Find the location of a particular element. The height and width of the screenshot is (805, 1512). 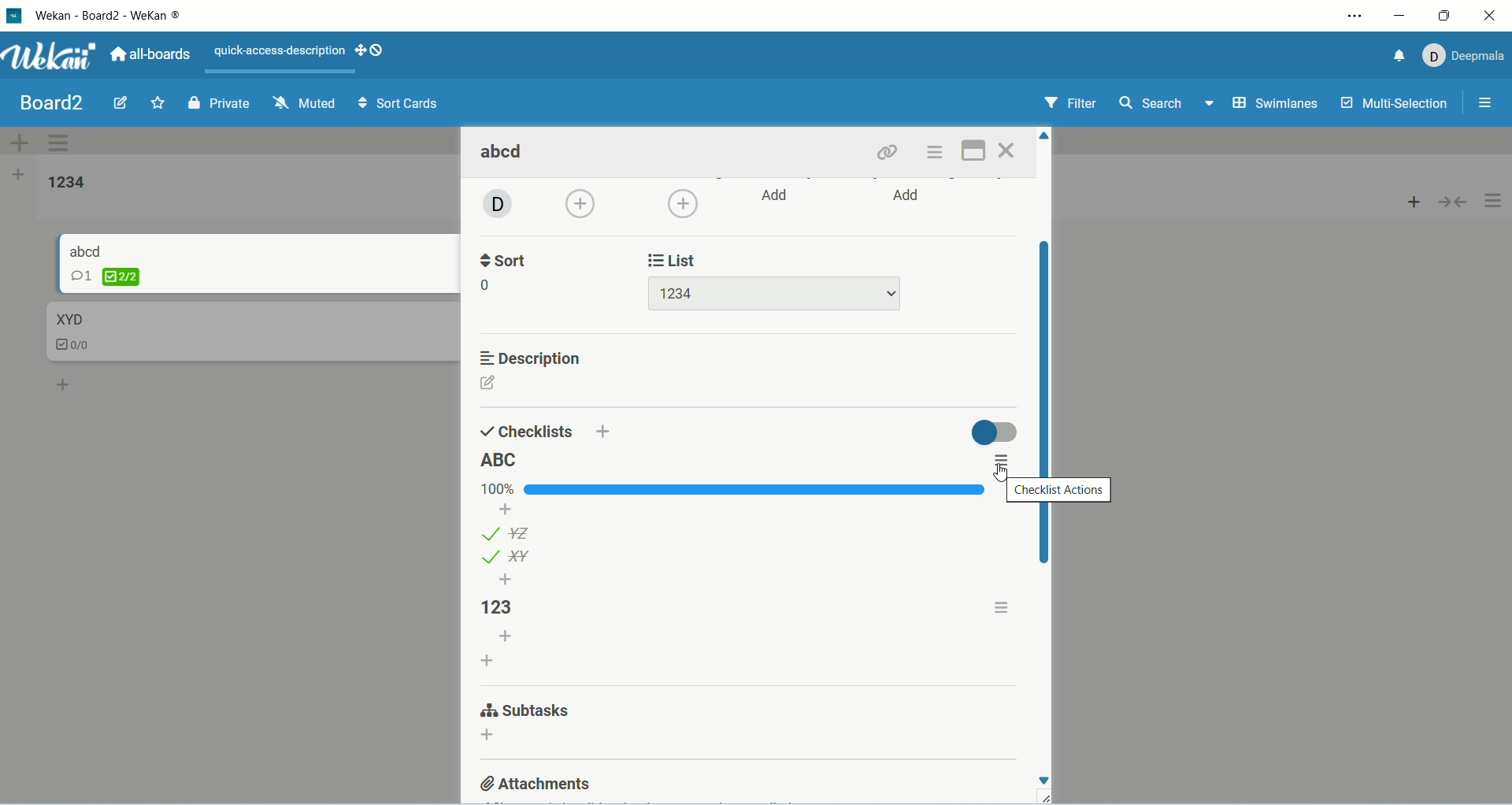

close is located at coordinates (1008, 150).